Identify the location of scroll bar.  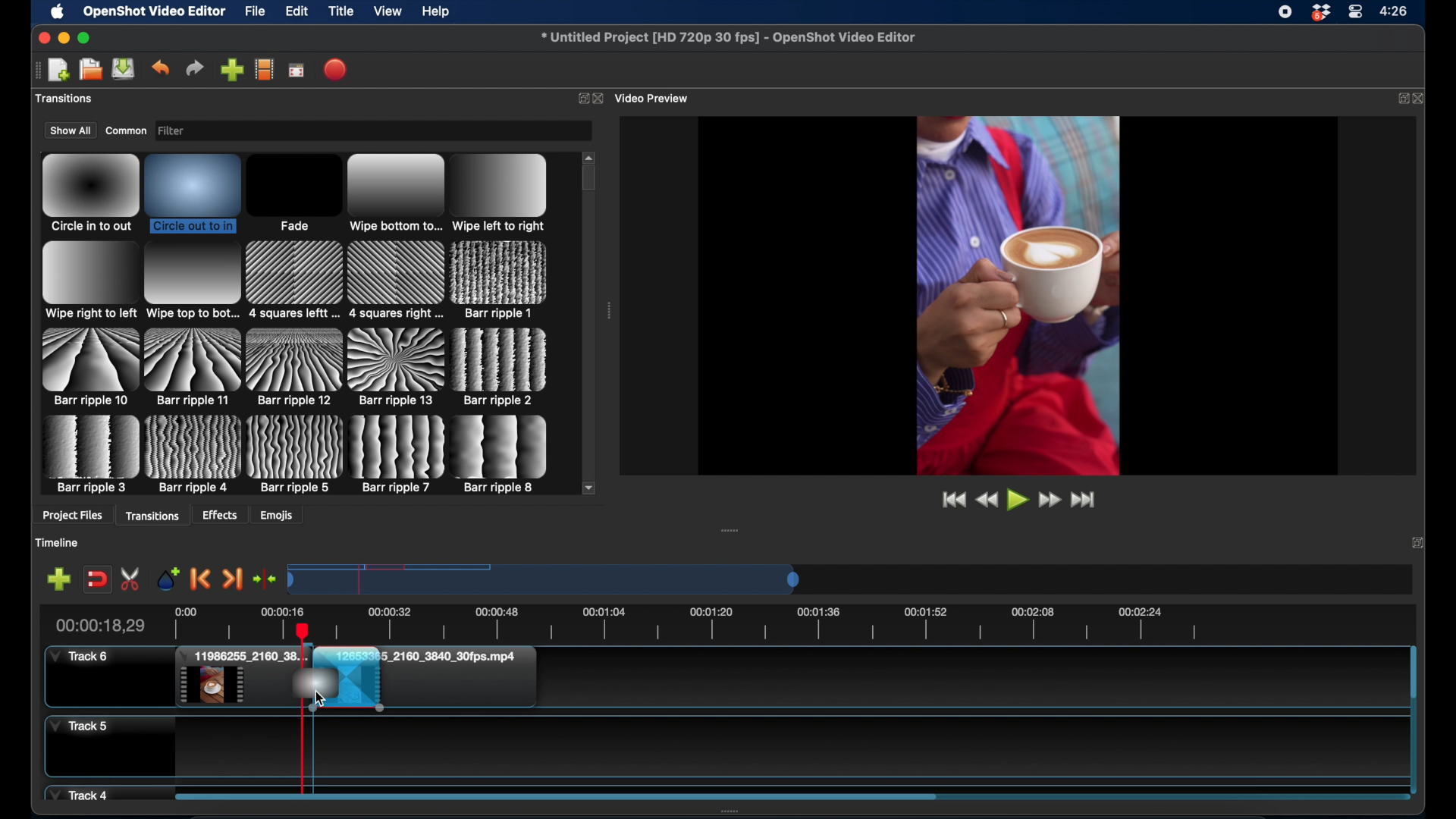
(1413, 673).